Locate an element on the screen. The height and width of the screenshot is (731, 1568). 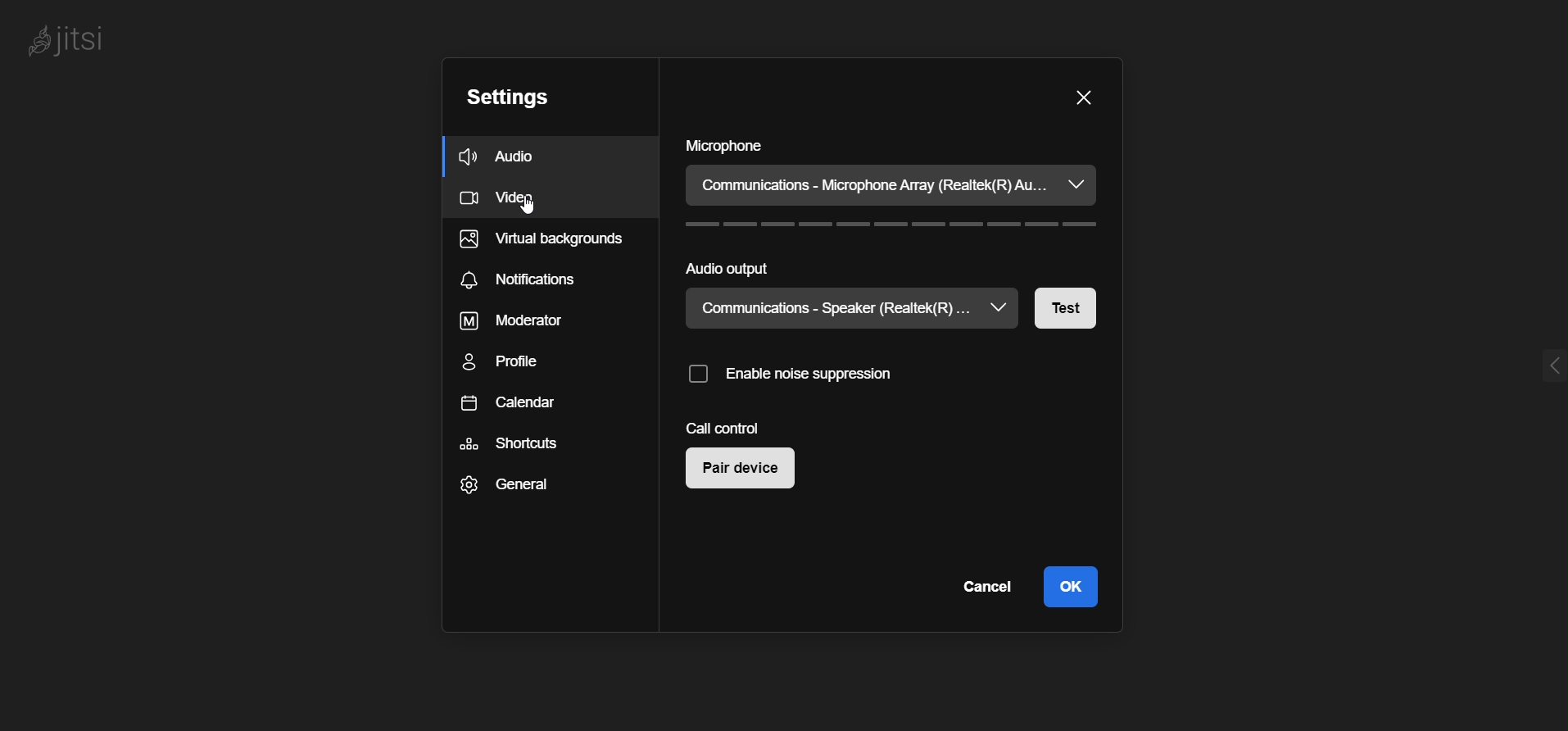
microphone is located at coordinates (733, 148).